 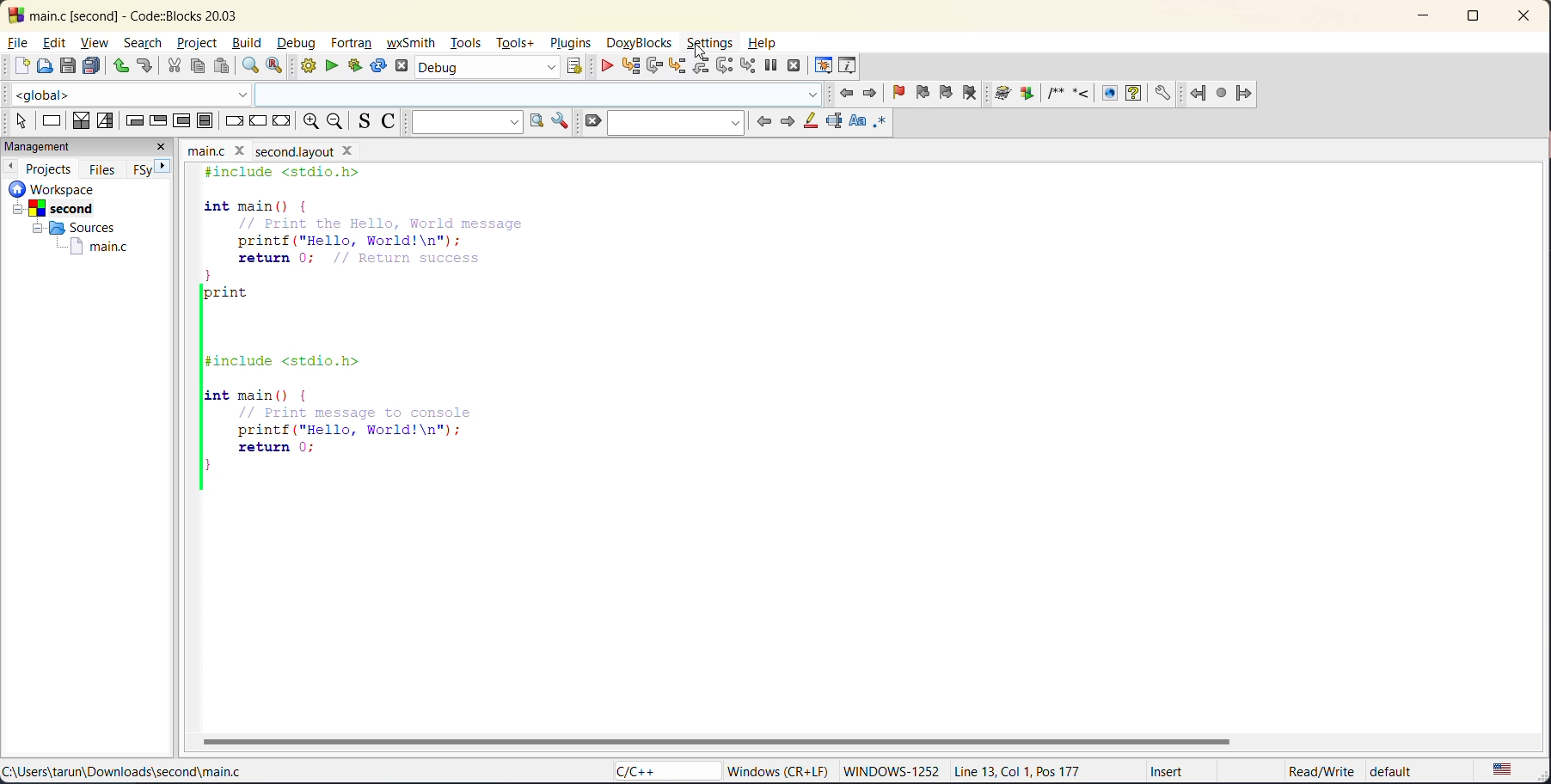 I want to click on debug, so click(x=297, y=44).